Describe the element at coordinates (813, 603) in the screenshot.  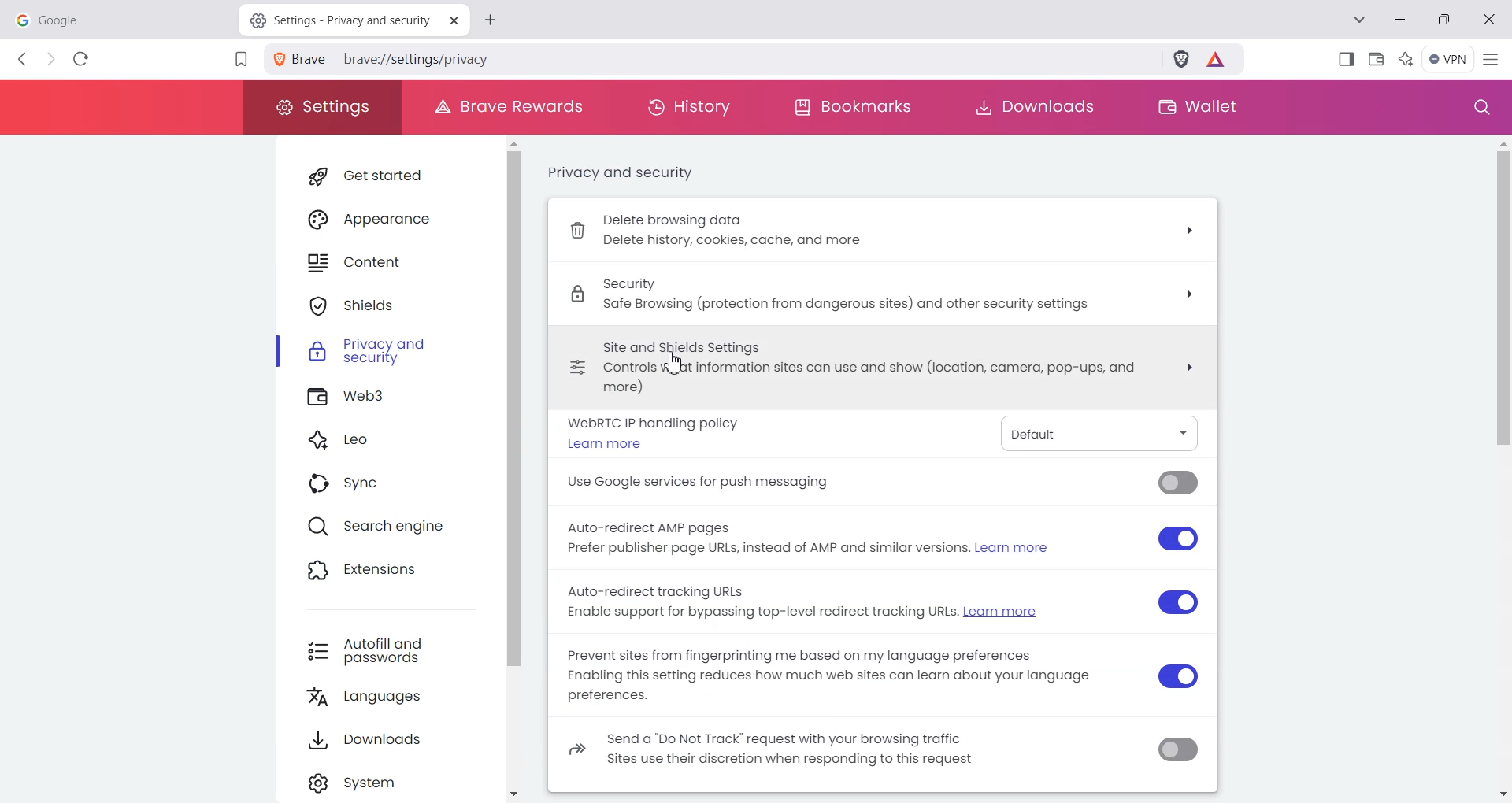
I see `Auto-redirect tracking URLs
Enable support for bypassing top-level redirect tracking URLs. Learn more` at that location.